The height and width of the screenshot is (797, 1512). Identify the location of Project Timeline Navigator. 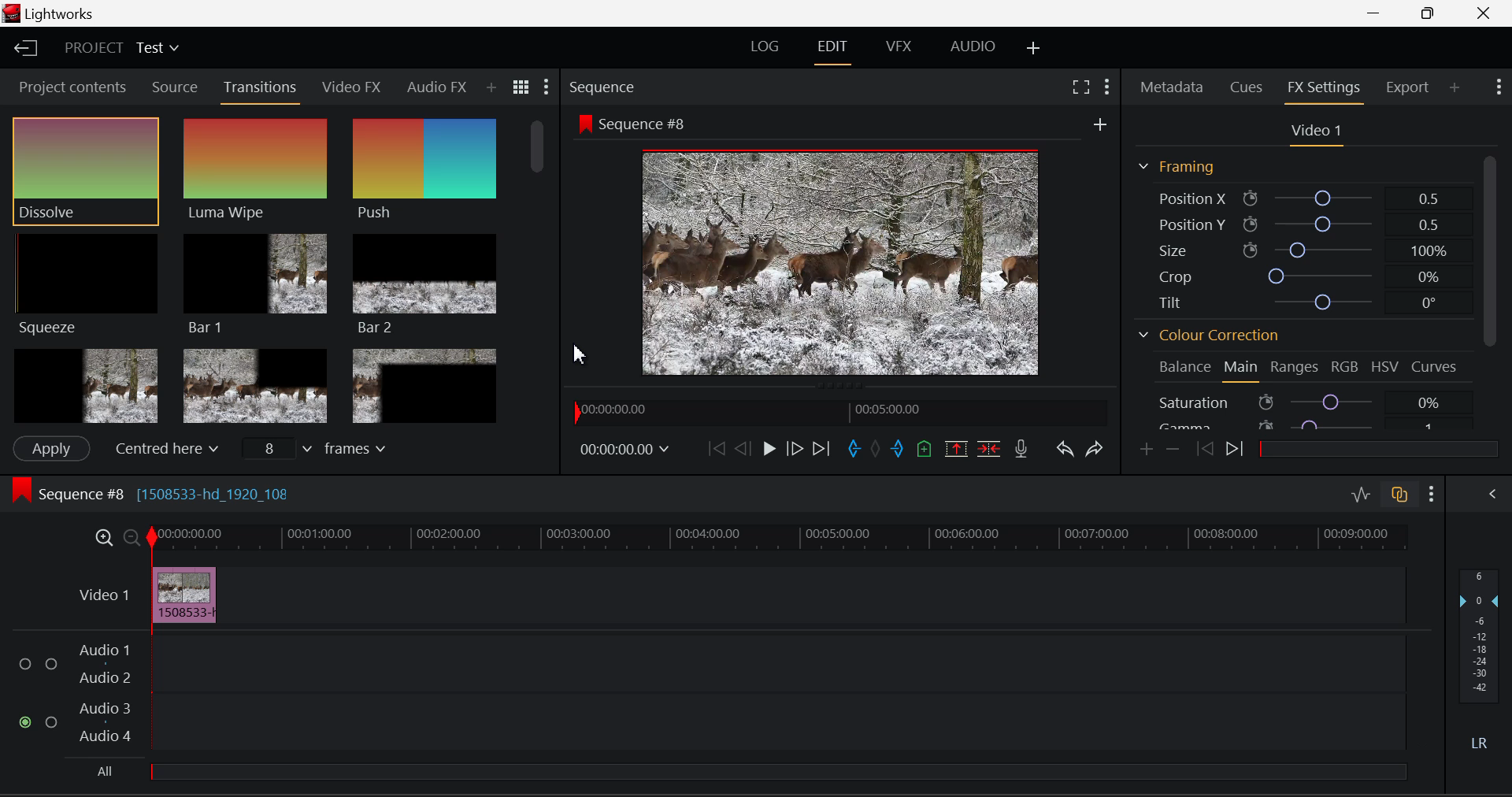
(838, 414).